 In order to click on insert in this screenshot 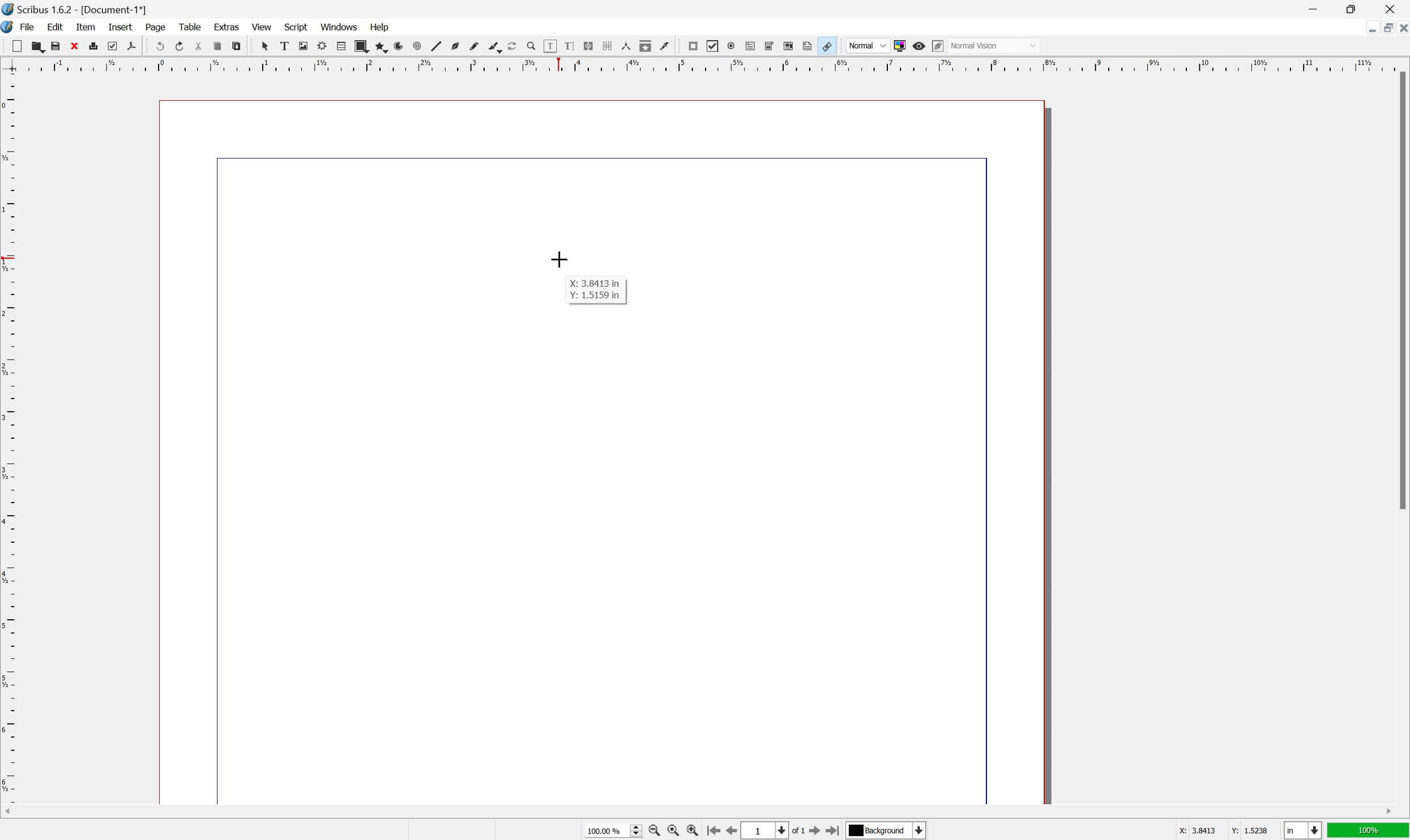, I will do `click(121, 27)`.